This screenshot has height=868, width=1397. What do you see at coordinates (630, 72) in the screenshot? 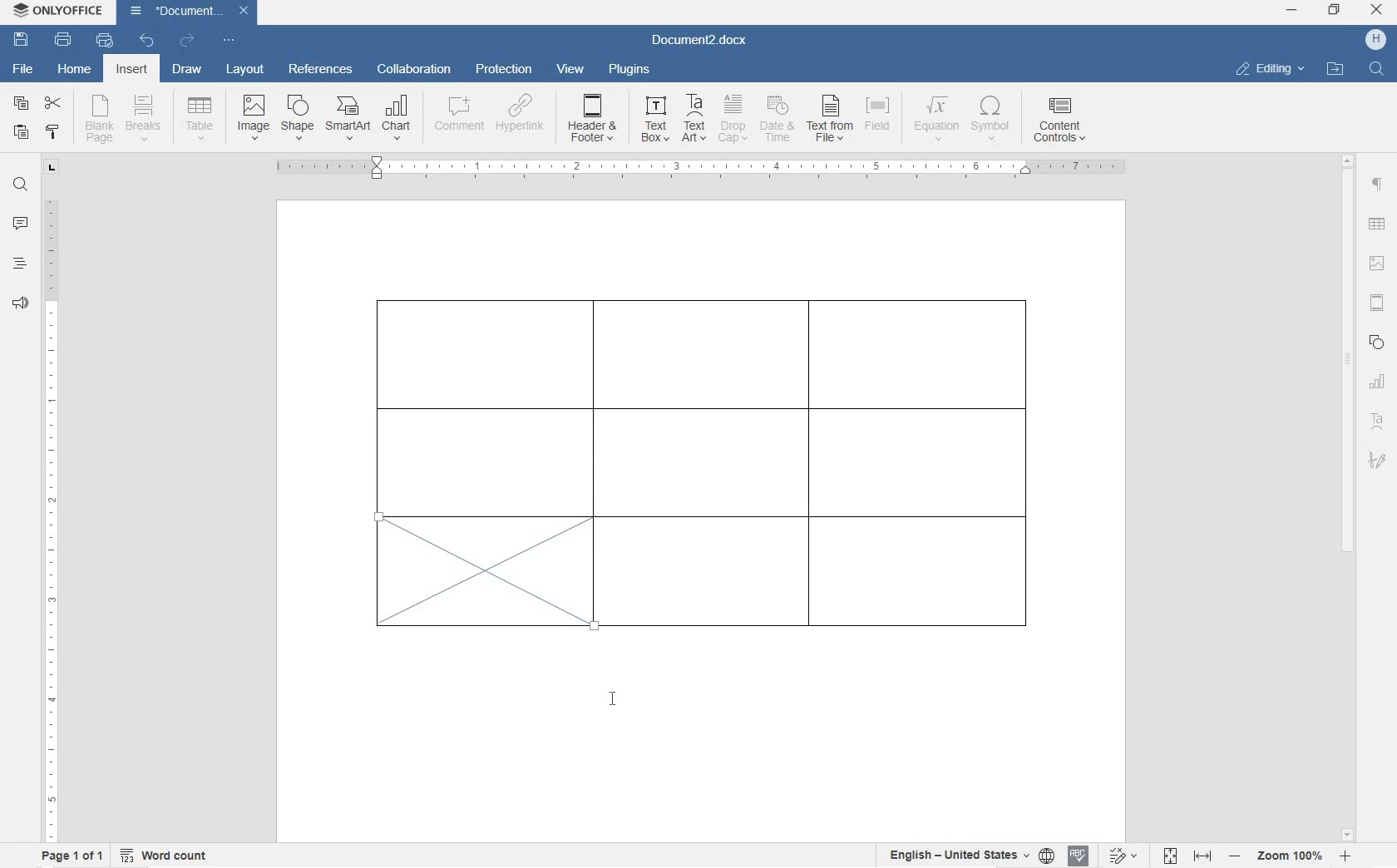
I see `plugins` at bounding box center [630, 72].